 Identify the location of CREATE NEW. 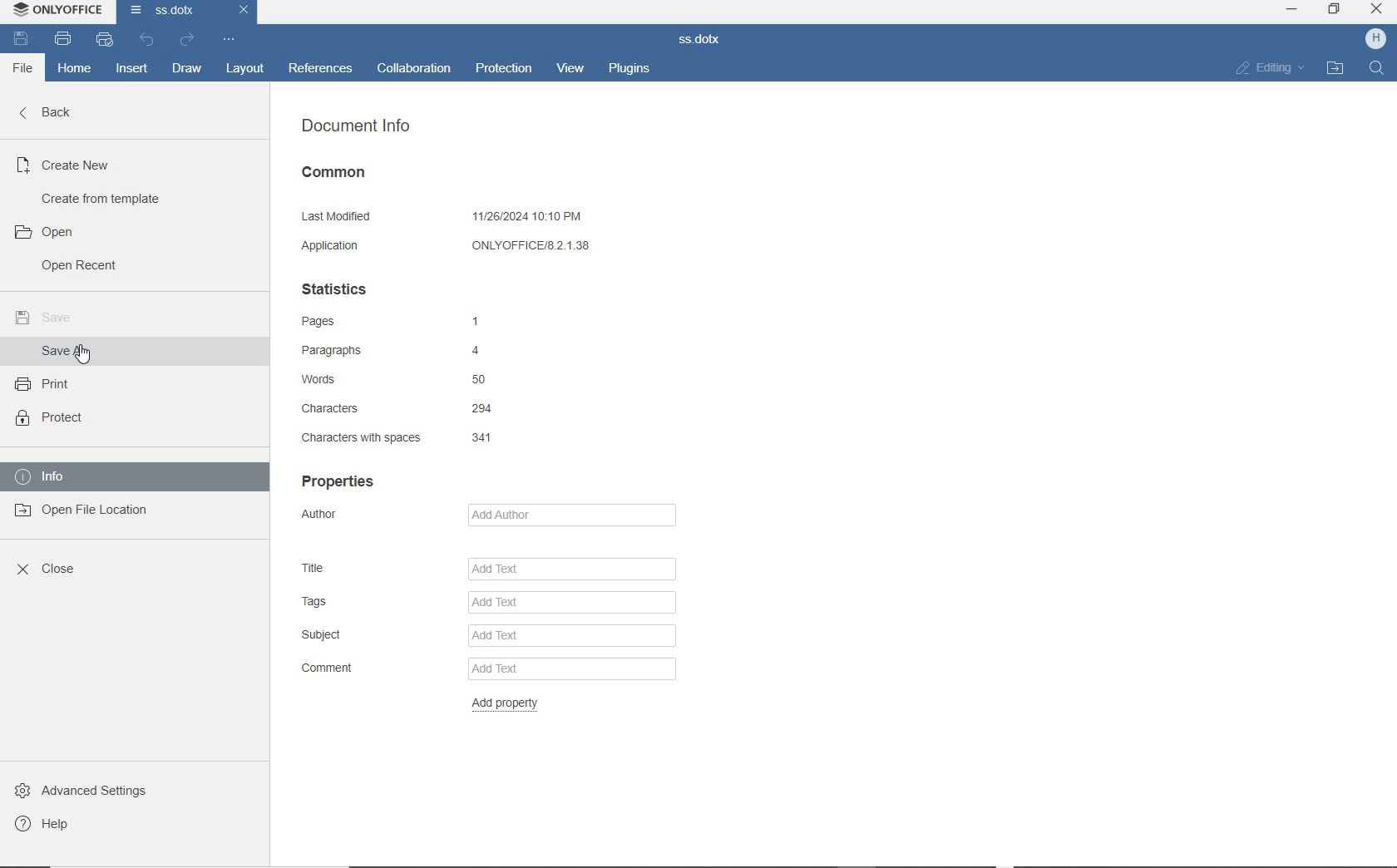
(67, 163).